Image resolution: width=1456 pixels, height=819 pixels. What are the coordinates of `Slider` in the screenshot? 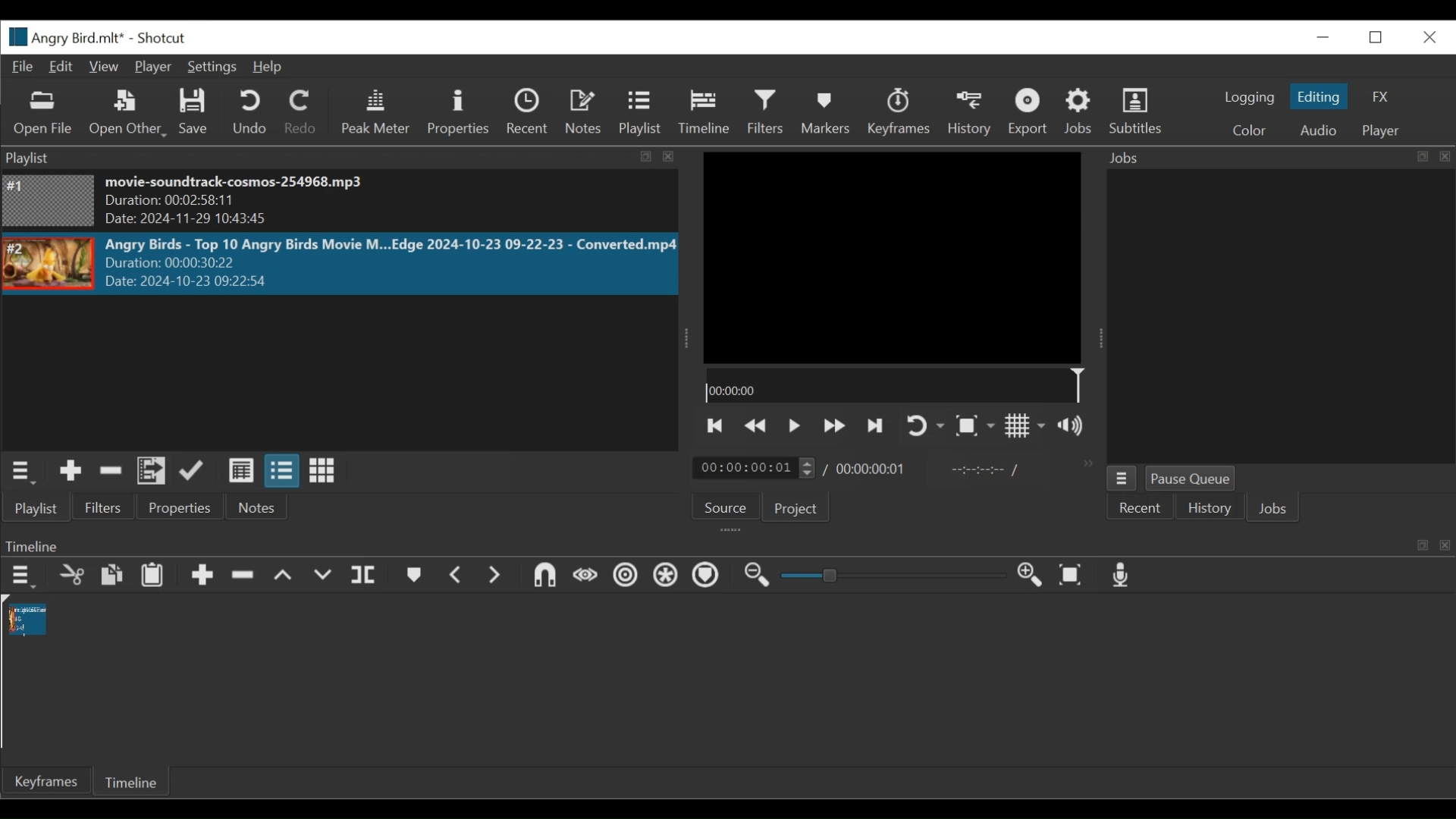 It's located at (894, 577).